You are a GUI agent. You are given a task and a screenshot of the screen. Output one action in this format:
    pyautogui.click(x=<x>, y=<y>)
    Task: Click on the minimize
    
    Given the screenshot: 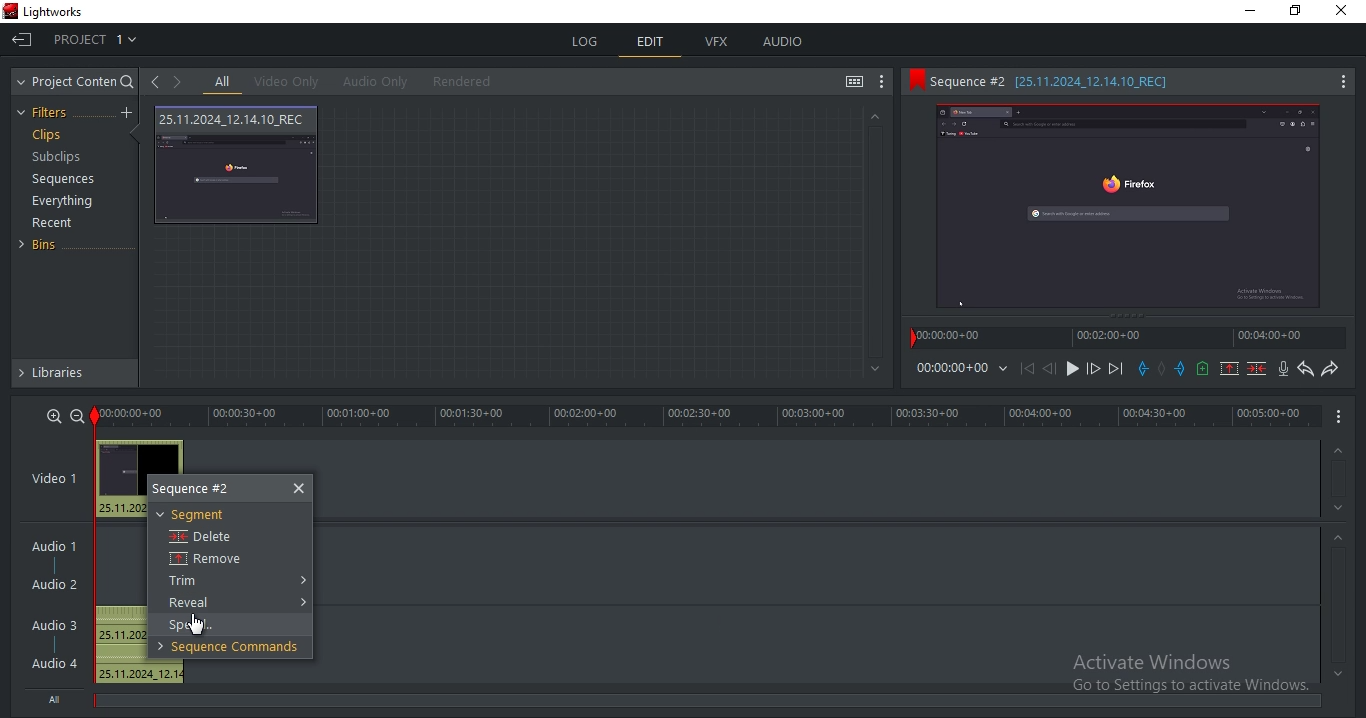 What is the action you would take?
    pyautogui.click(x=1253, y=14)
    